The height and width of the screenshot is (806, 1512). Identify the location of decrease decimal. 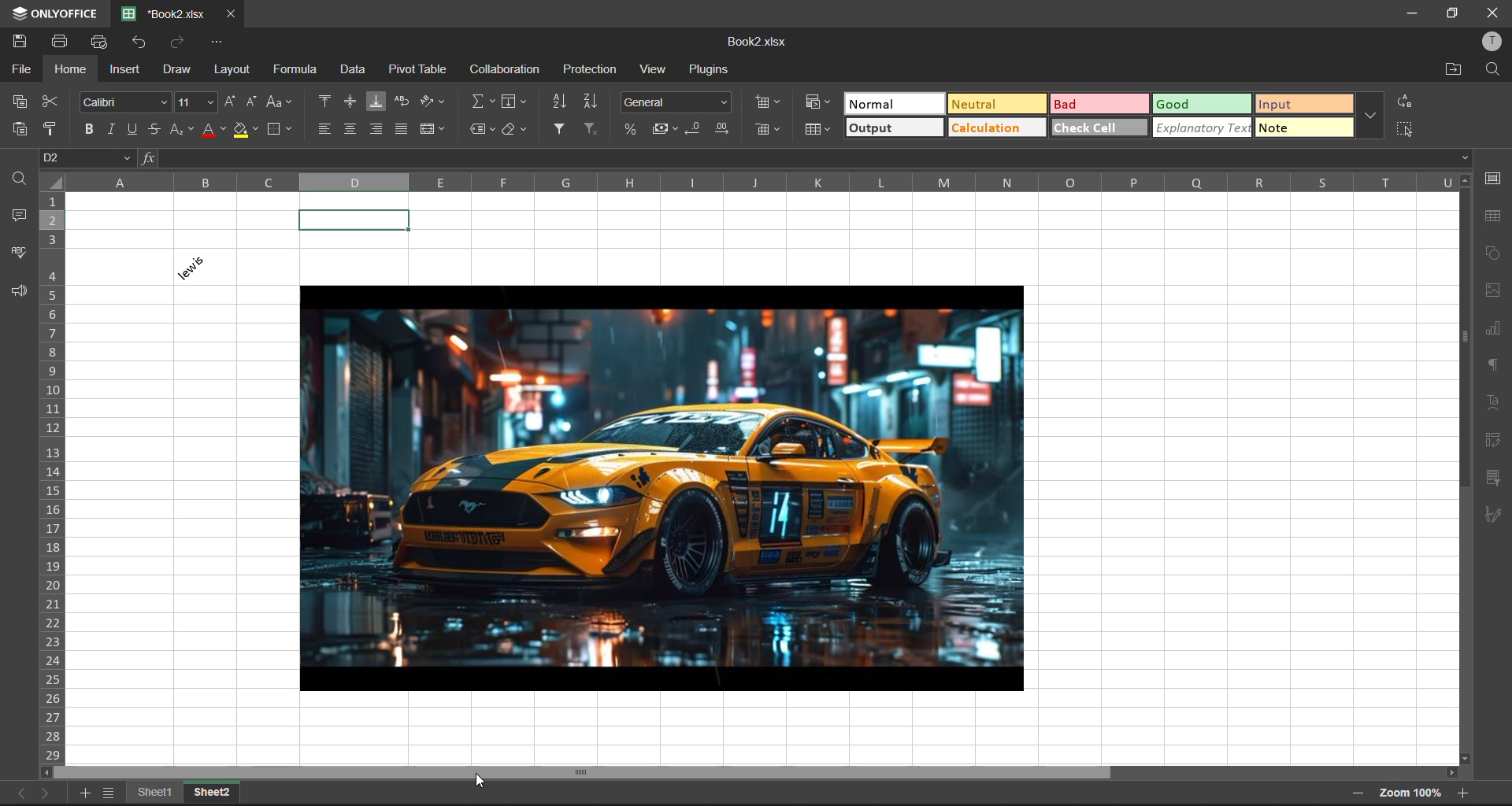
(694, 130).